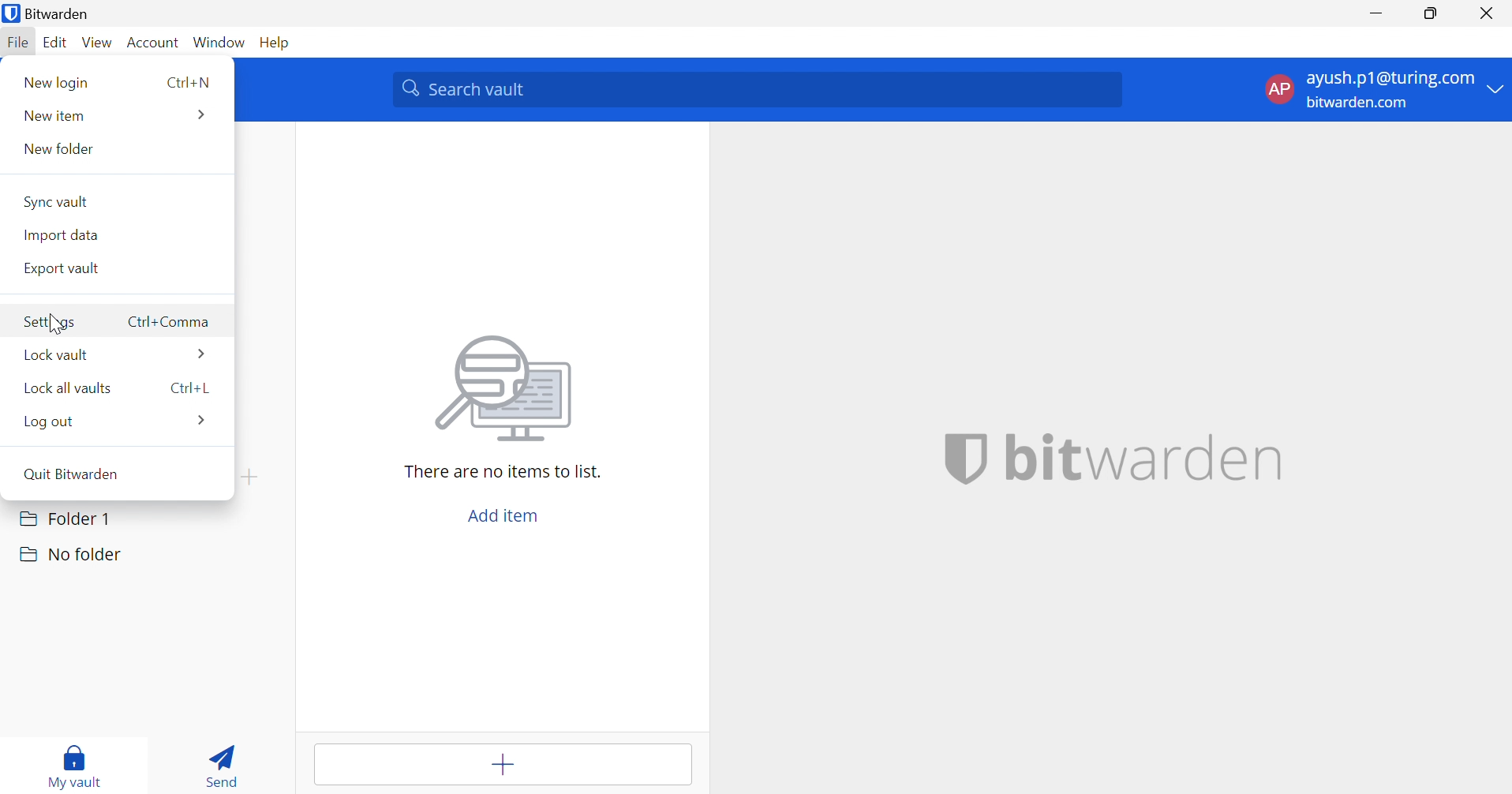 This screenshot has width=1512, height=794. Describe the element at coordinates (63, 13) in the screenshot. I see `Bitwarden` at that location.